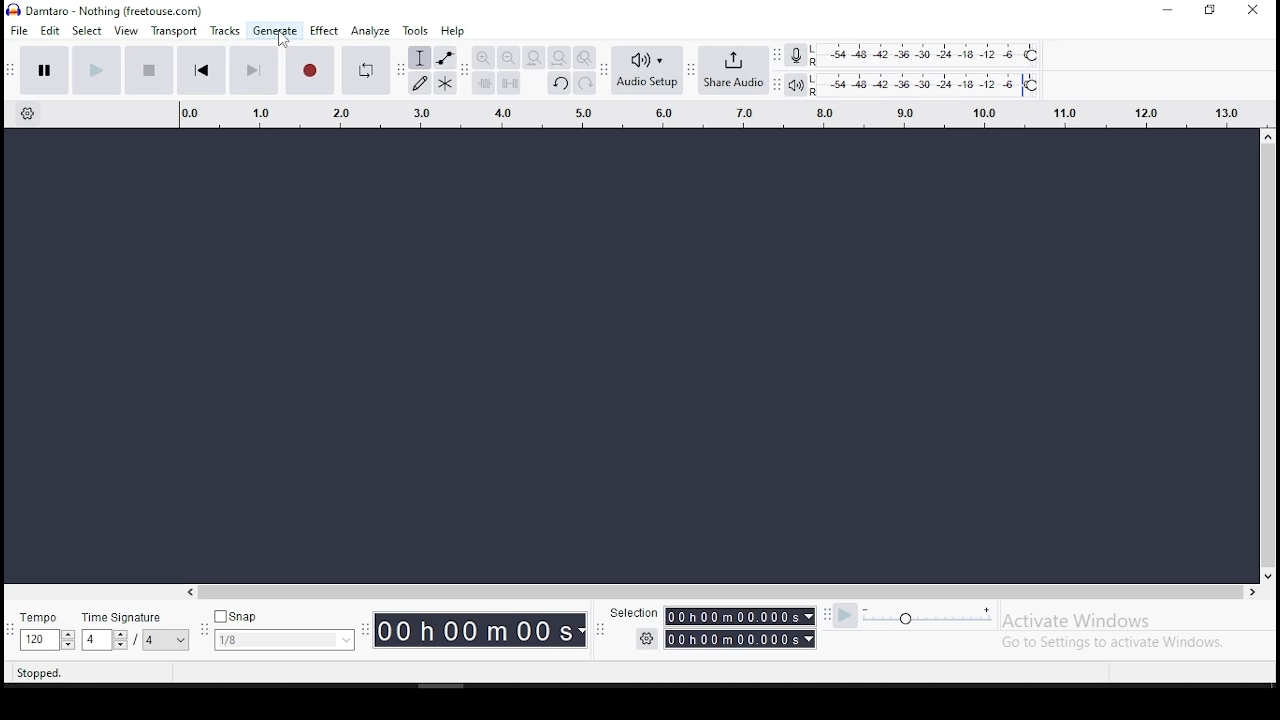 Image resolution: width=1280 pixels, height=720 pixels. Describe the element at coordinates (693, 73) in the screenshot. I see `open menu` at that location.